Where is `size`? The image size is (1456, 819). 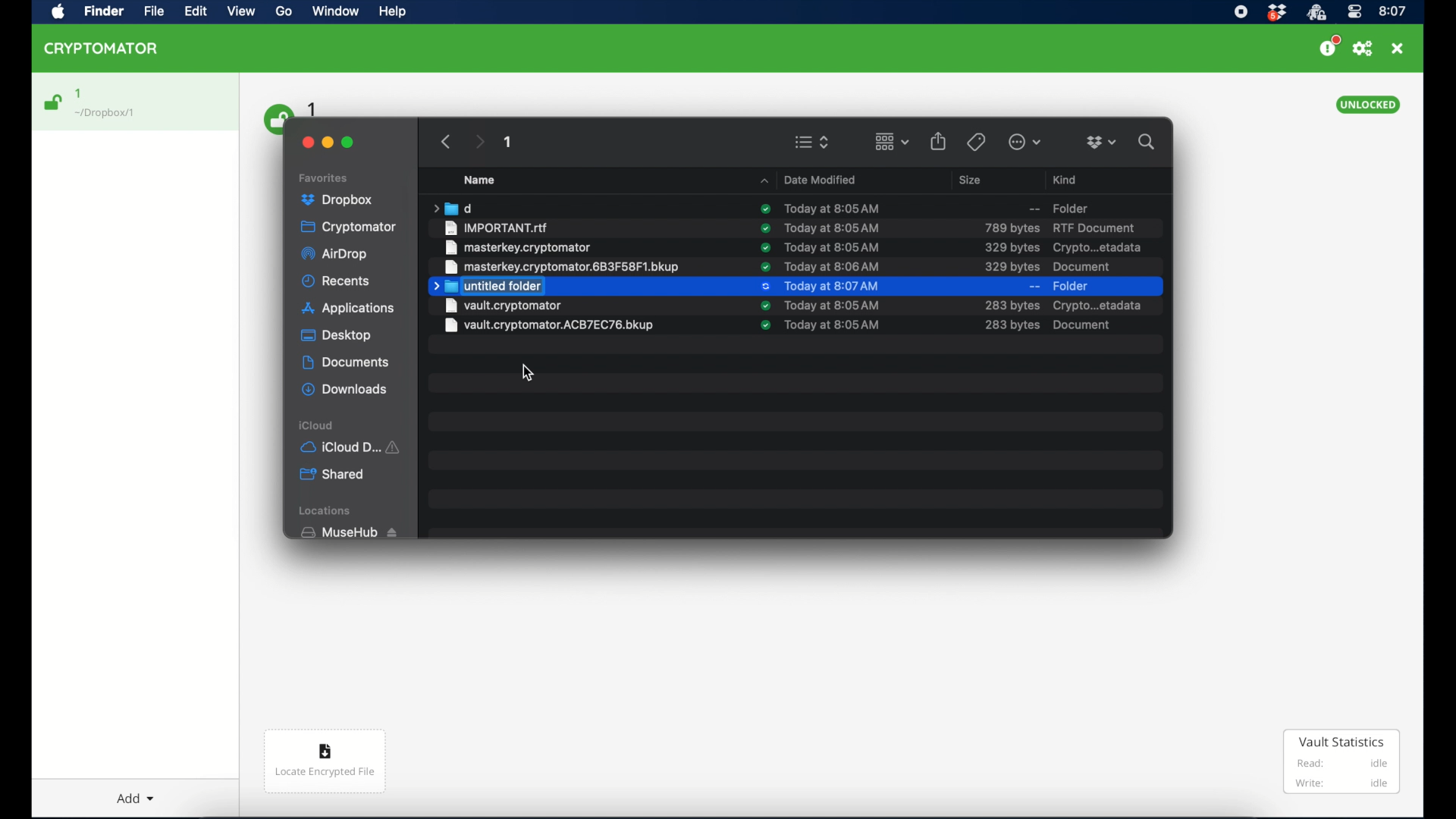
size is located at coordinates (1011, 247).